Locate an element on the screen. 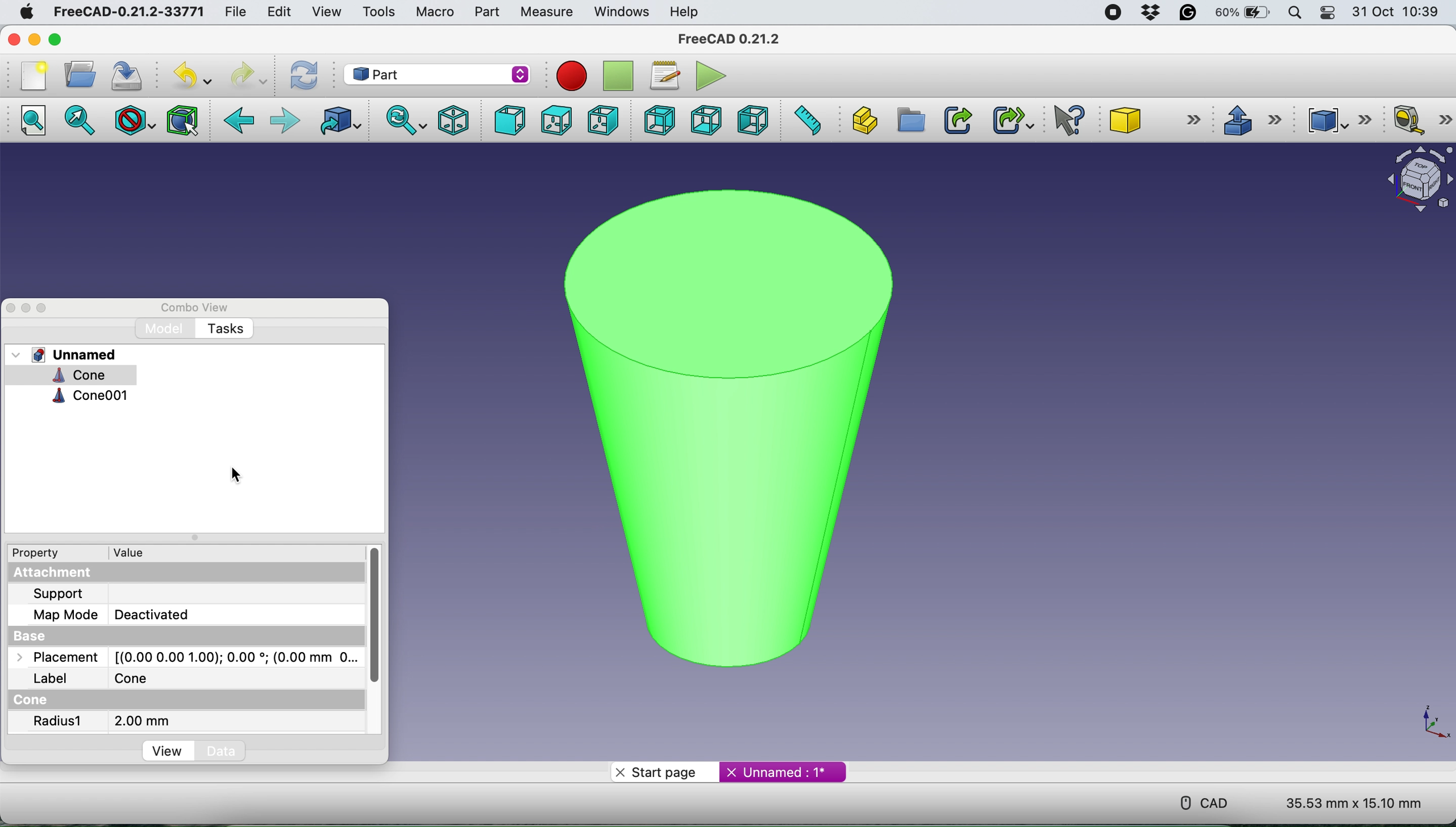  new is located at coordinates (30, 75).